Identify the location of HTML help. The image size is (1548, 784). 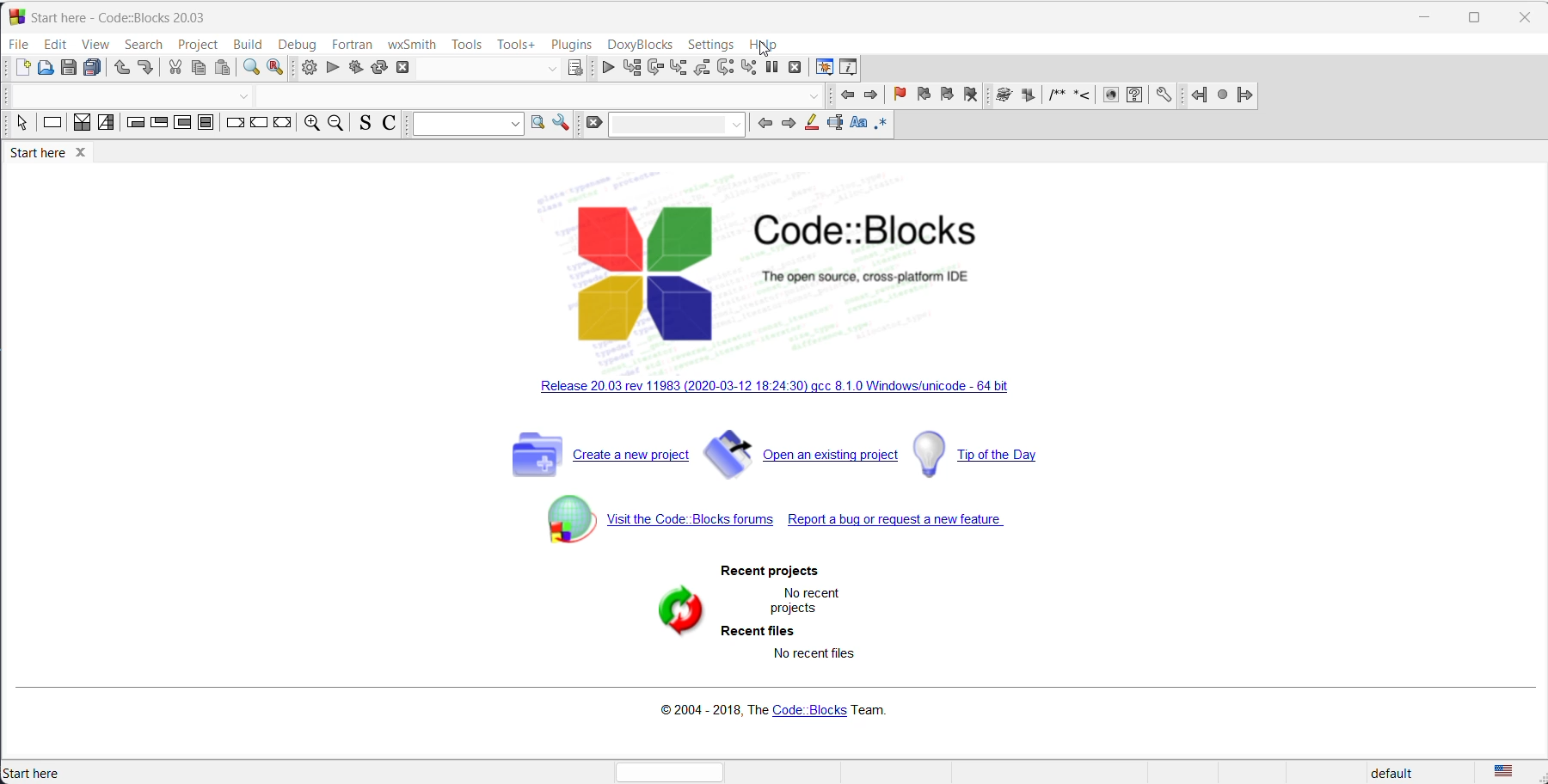
(1137, 97).